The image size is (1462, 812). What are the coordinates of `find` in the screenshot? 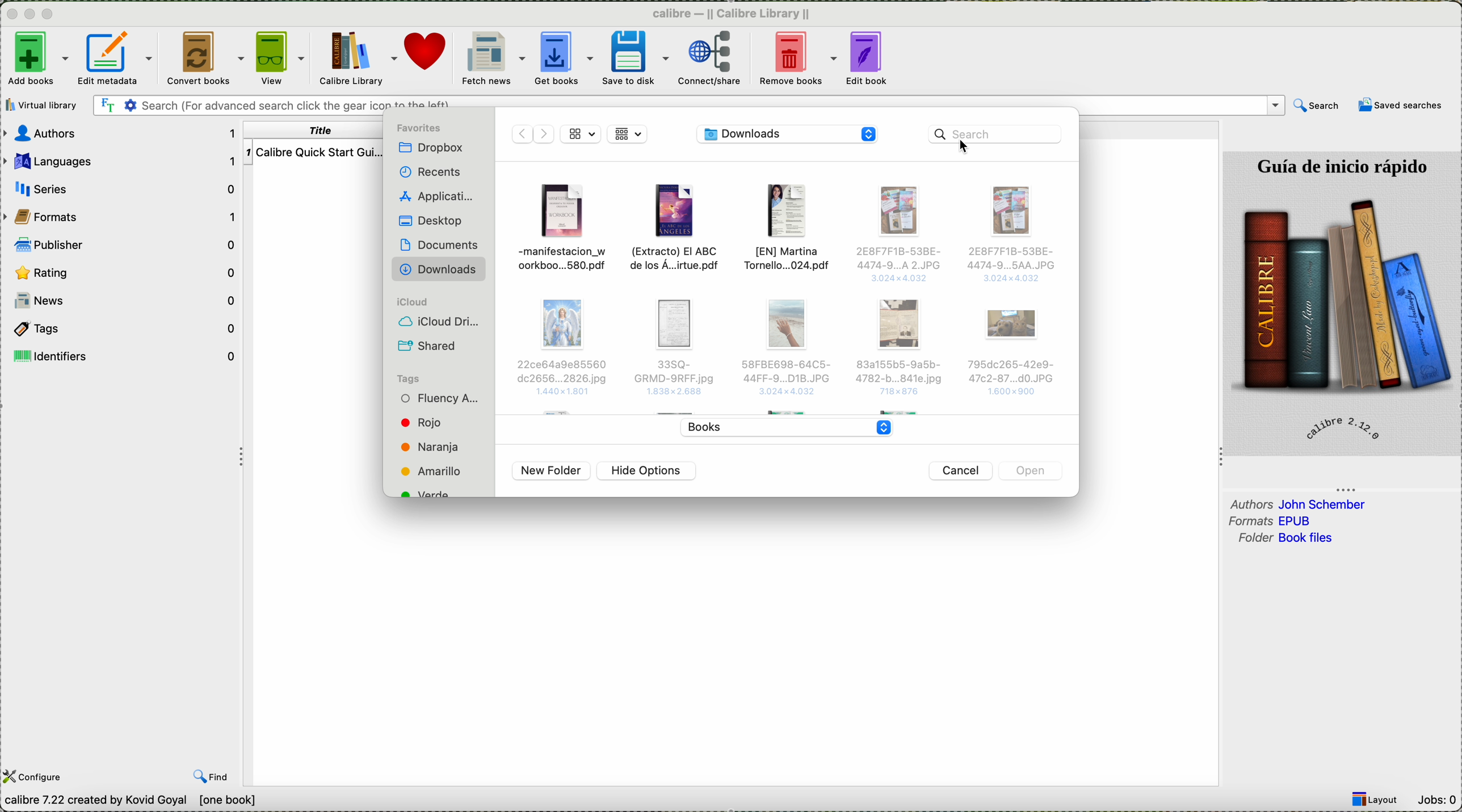 It's located at (211, 776).